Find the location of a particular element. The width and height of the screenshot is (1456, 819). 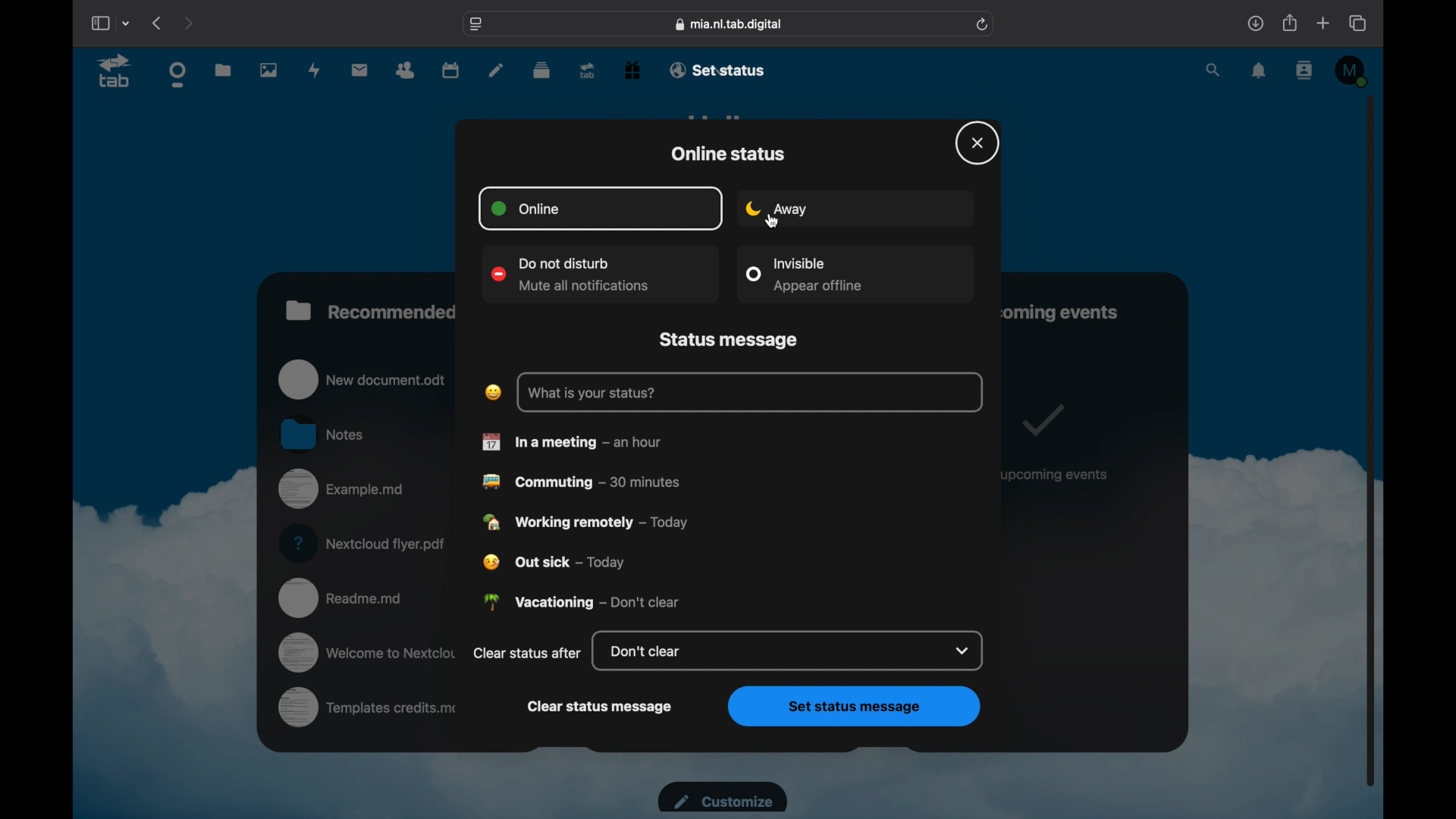

next is located at coordinates (188, 23).